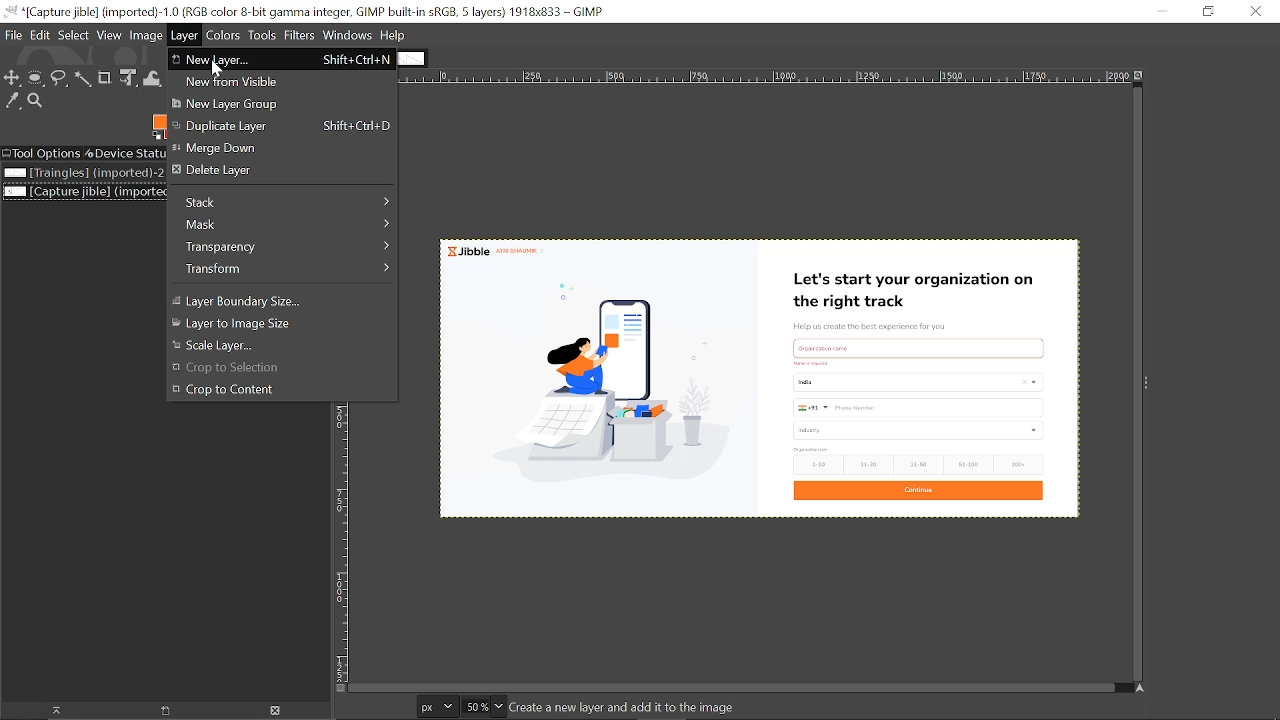 Image resolution: width=1280 pixels, height=720 pixels. I want to click on Mask, so click(285, 225).